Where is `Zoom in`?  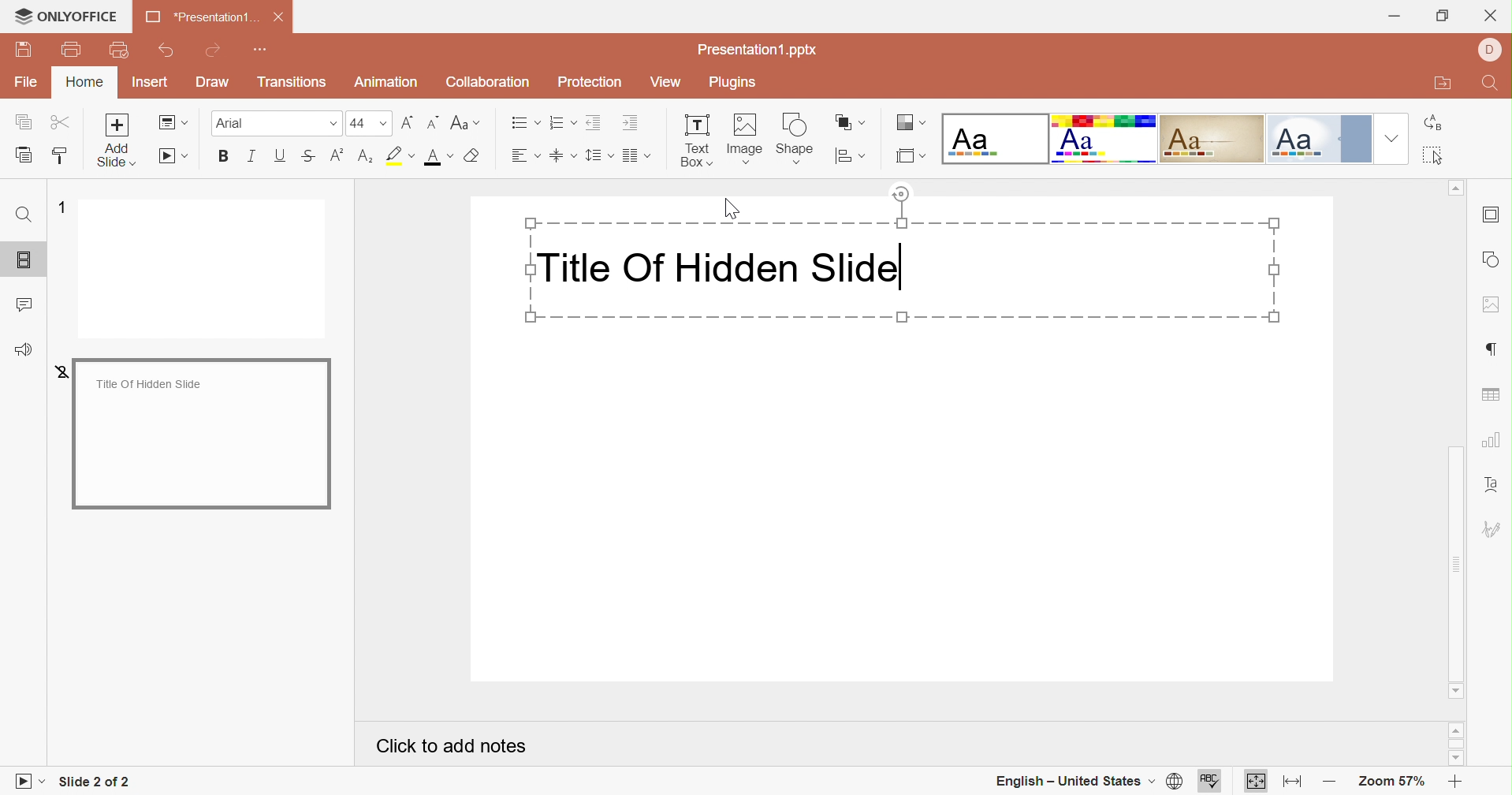
Zoom in is located at coordinates (1453, 782).